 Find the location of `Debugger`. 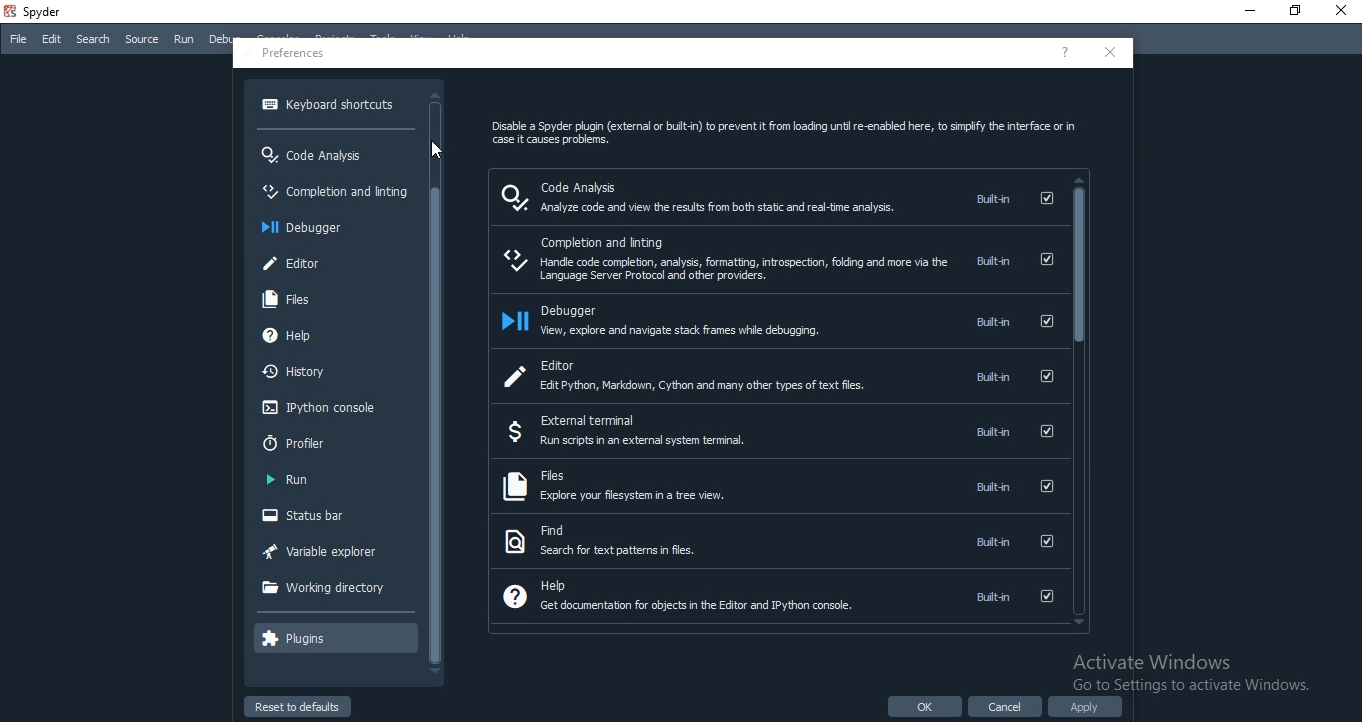

Debugger is located at coordinates (332, 227).